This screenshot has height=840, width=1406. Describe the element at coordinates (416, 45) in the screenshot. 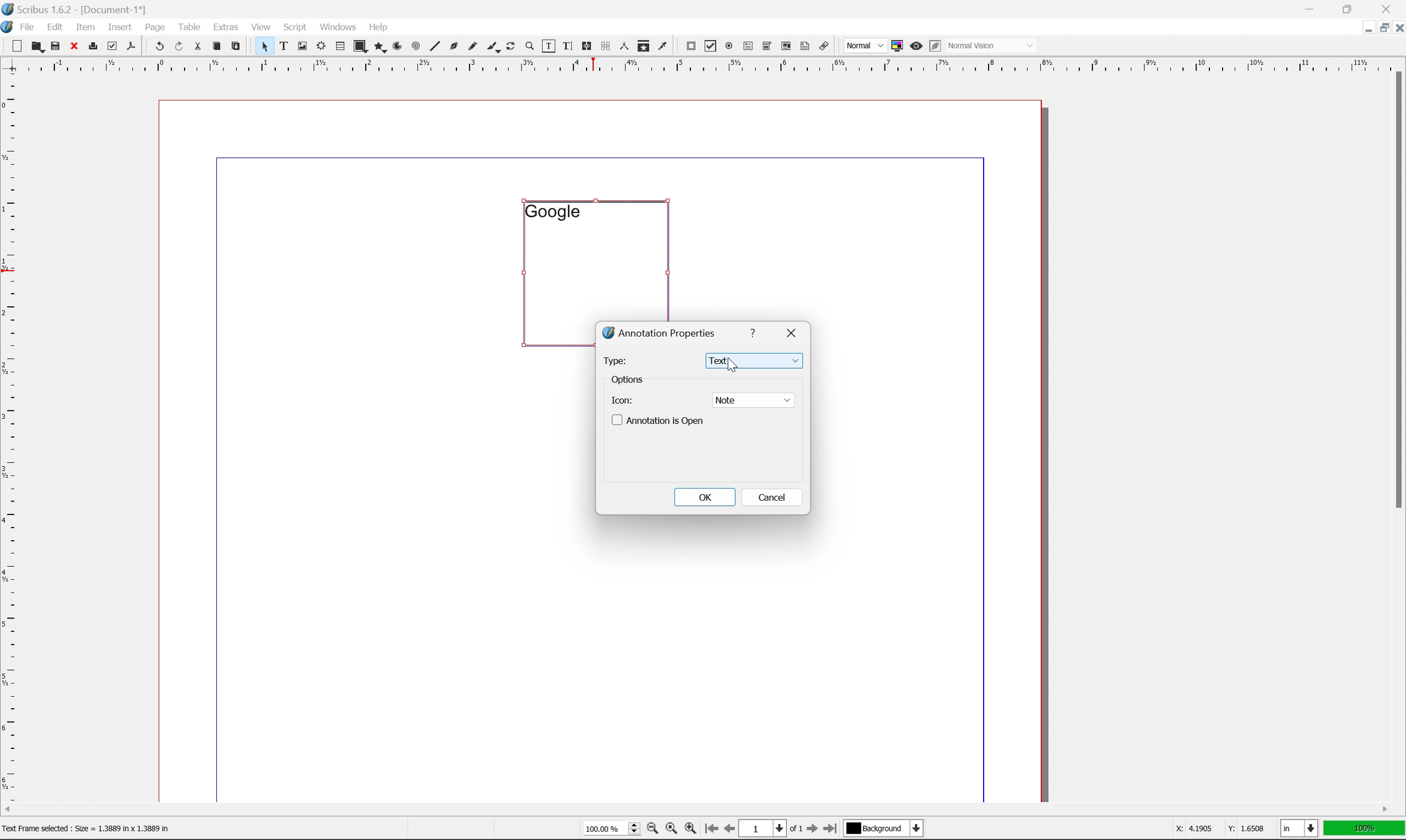

I see `spiral` at that location.